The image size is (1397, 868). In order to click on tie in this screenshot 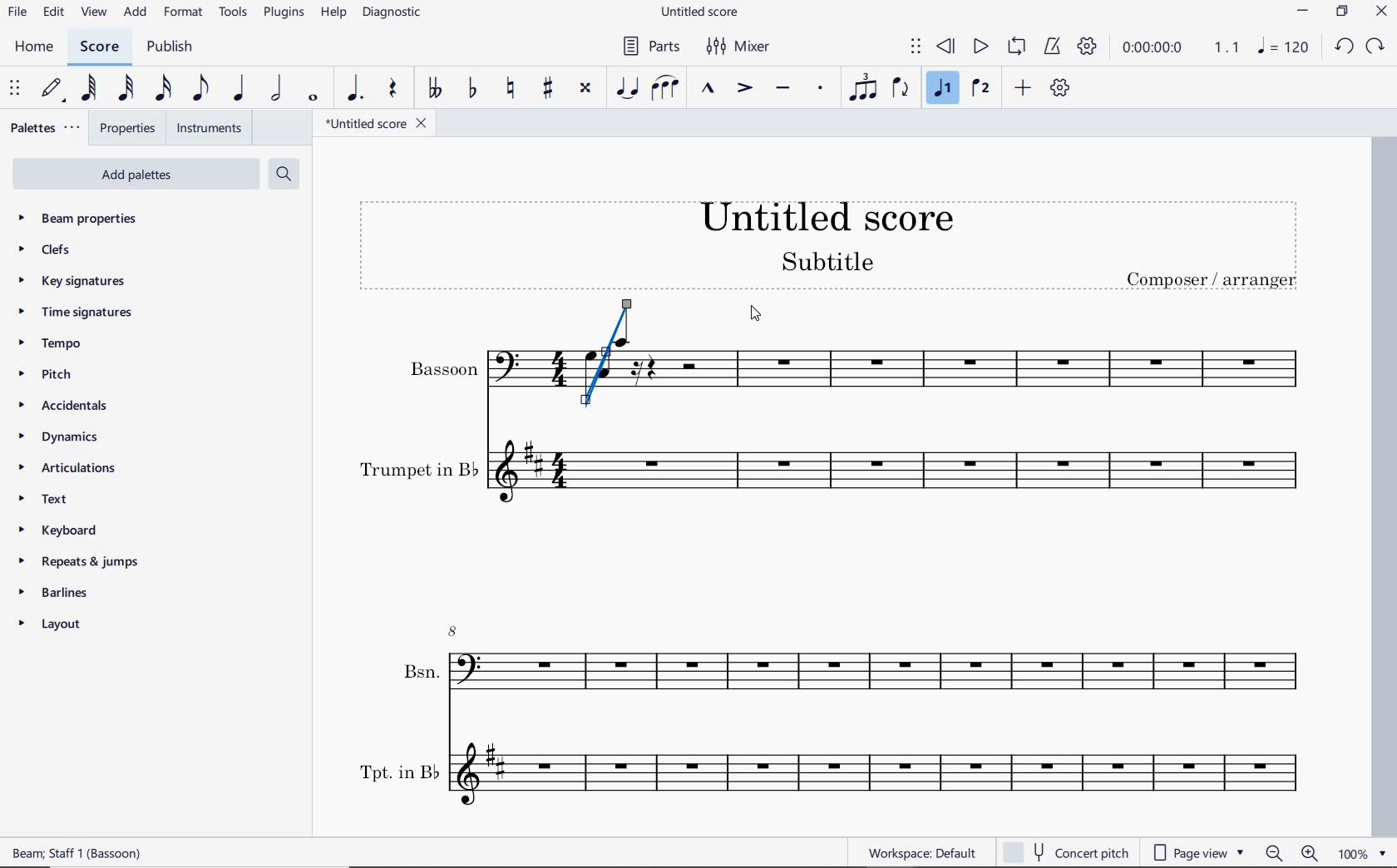, I will do `click(628, 89)`.